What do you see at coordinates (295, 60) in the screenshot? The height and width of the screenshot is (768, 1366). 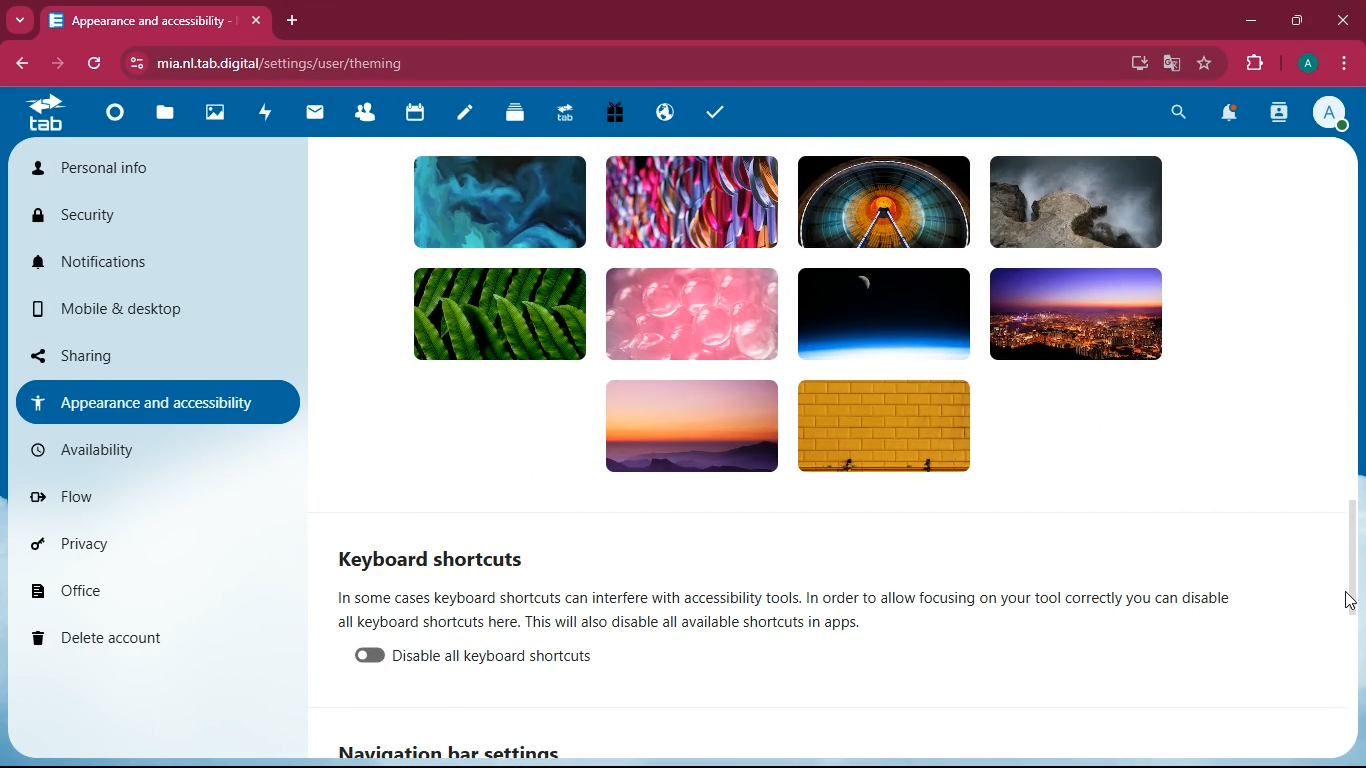 I see `url` at bounding box center [295, 60].